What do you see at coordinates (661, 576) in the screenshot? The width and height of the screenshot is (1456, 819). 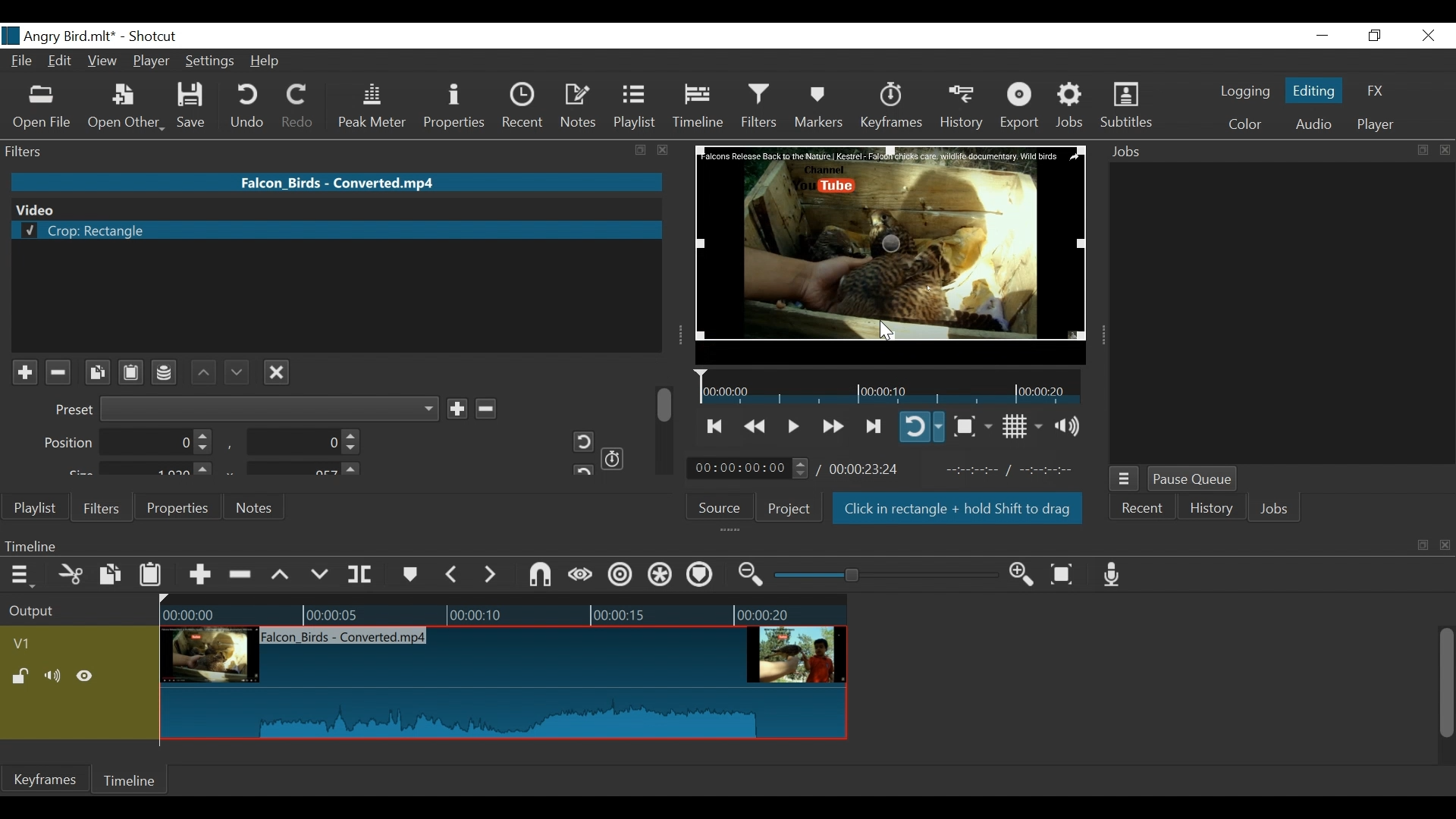 I see `Ripple all tracks` at bounding box center [661, 576].